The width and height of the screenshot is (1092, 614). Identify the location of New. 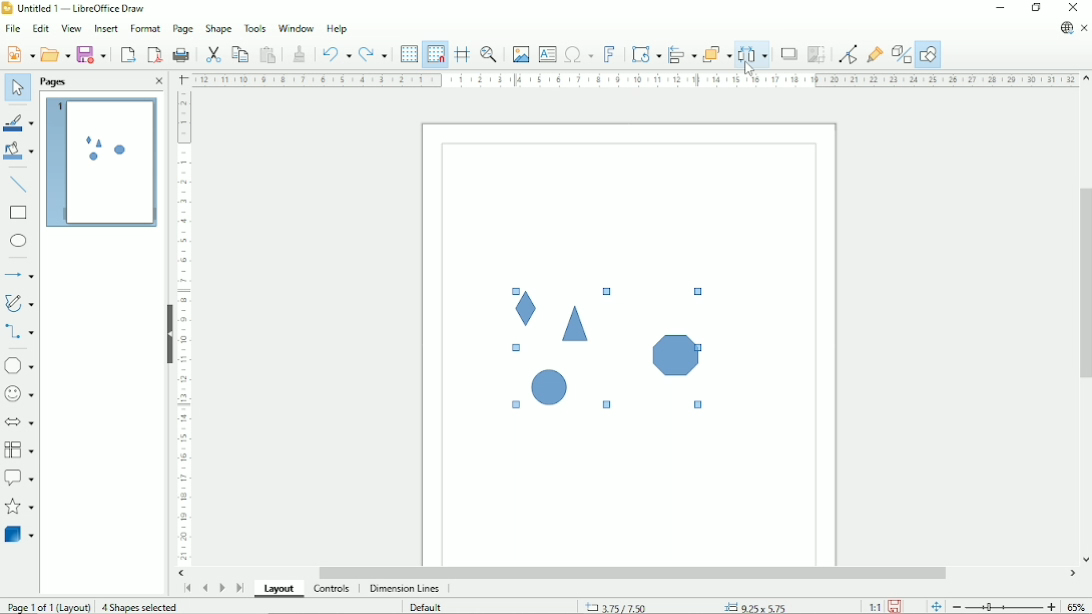
(20, 53).